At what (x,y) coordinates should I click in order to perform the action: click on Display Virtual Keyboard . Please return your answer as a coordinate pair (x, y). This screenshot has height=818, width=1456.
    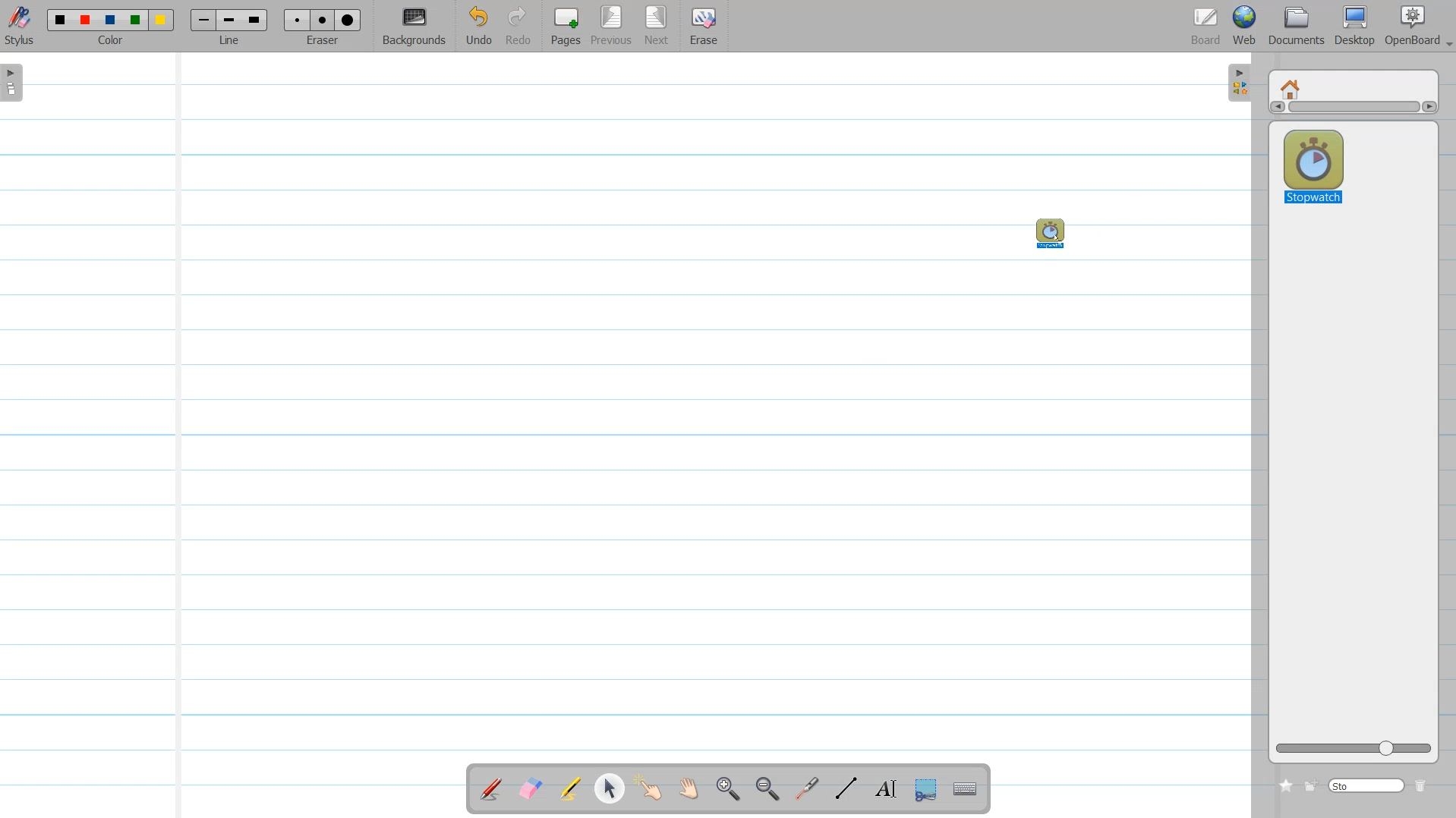
    Looking at the image, I should click on (967, 789).